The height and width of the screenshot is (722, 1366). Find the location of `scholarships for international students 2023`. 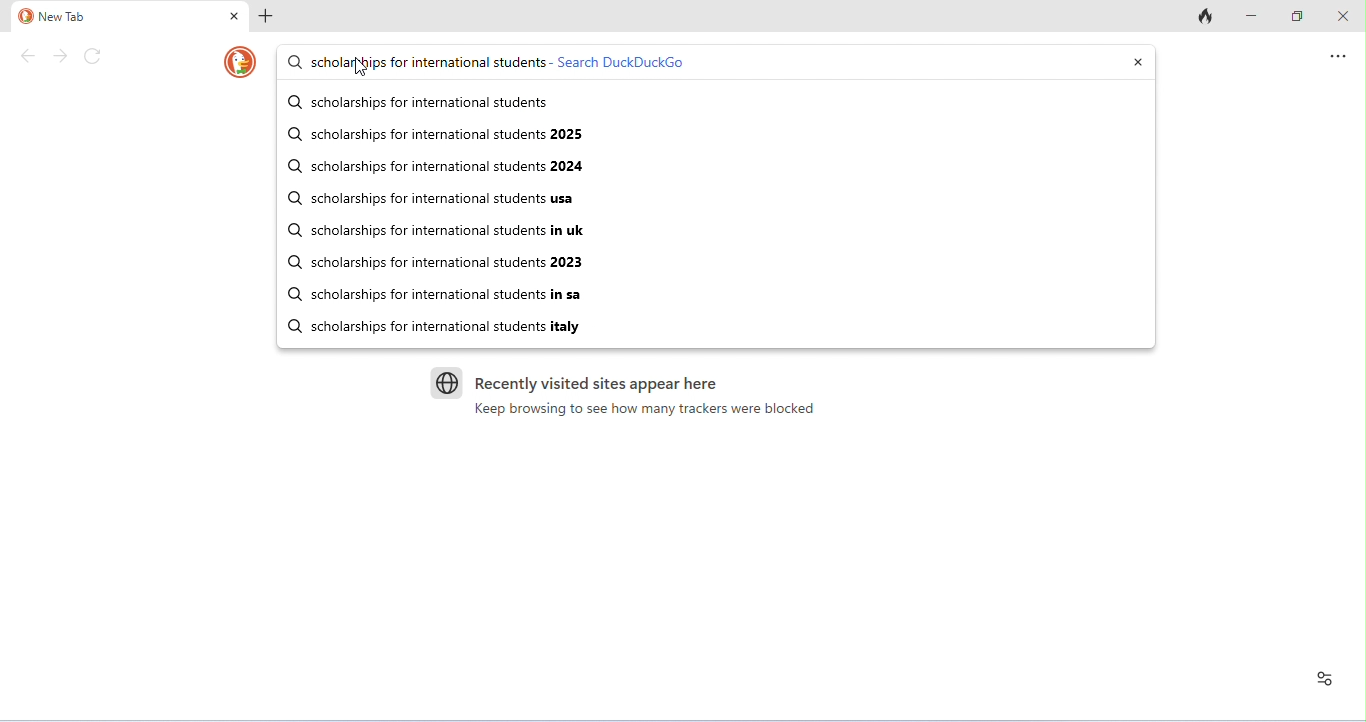

scholarships for international students 2023 is located at coordinates (449, 264).